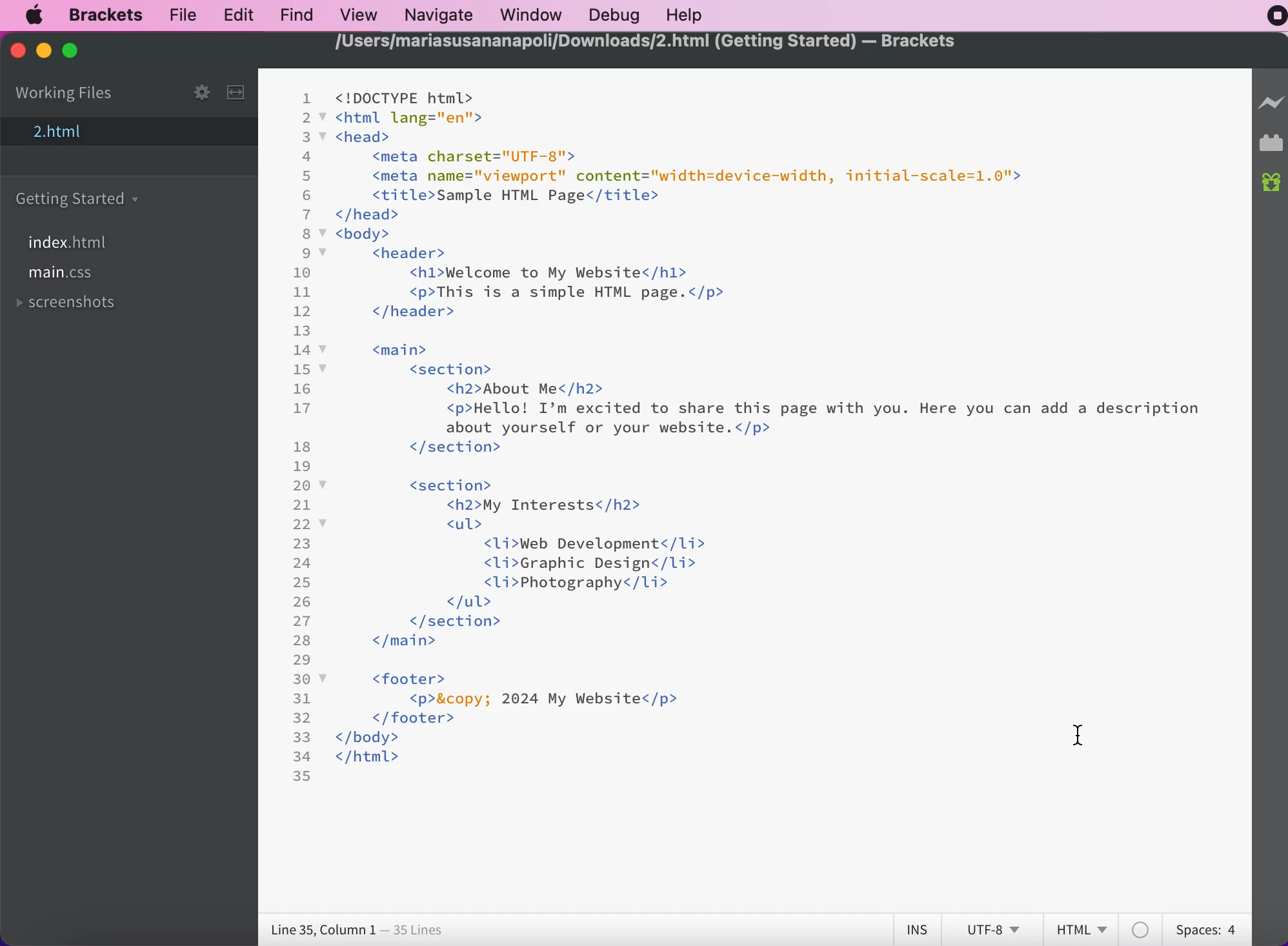 The width and height of the screenshot is (1288, 946). Describe the element at coordinates (307, 157) in the screenshot. I see `4` at that location.